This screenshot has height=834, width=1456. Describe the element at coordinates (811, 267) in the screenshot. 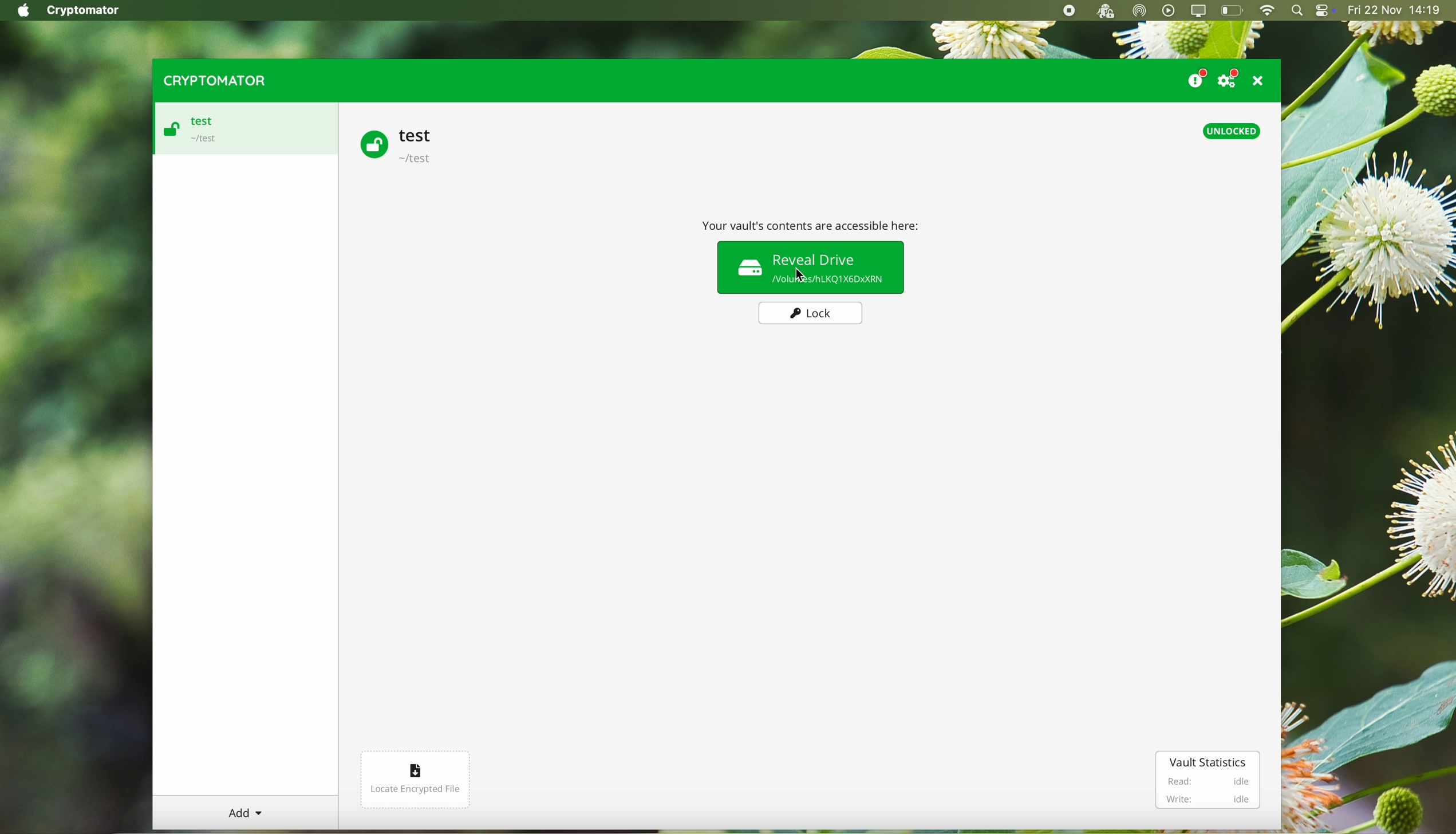

I see `reveal drive` at that location.